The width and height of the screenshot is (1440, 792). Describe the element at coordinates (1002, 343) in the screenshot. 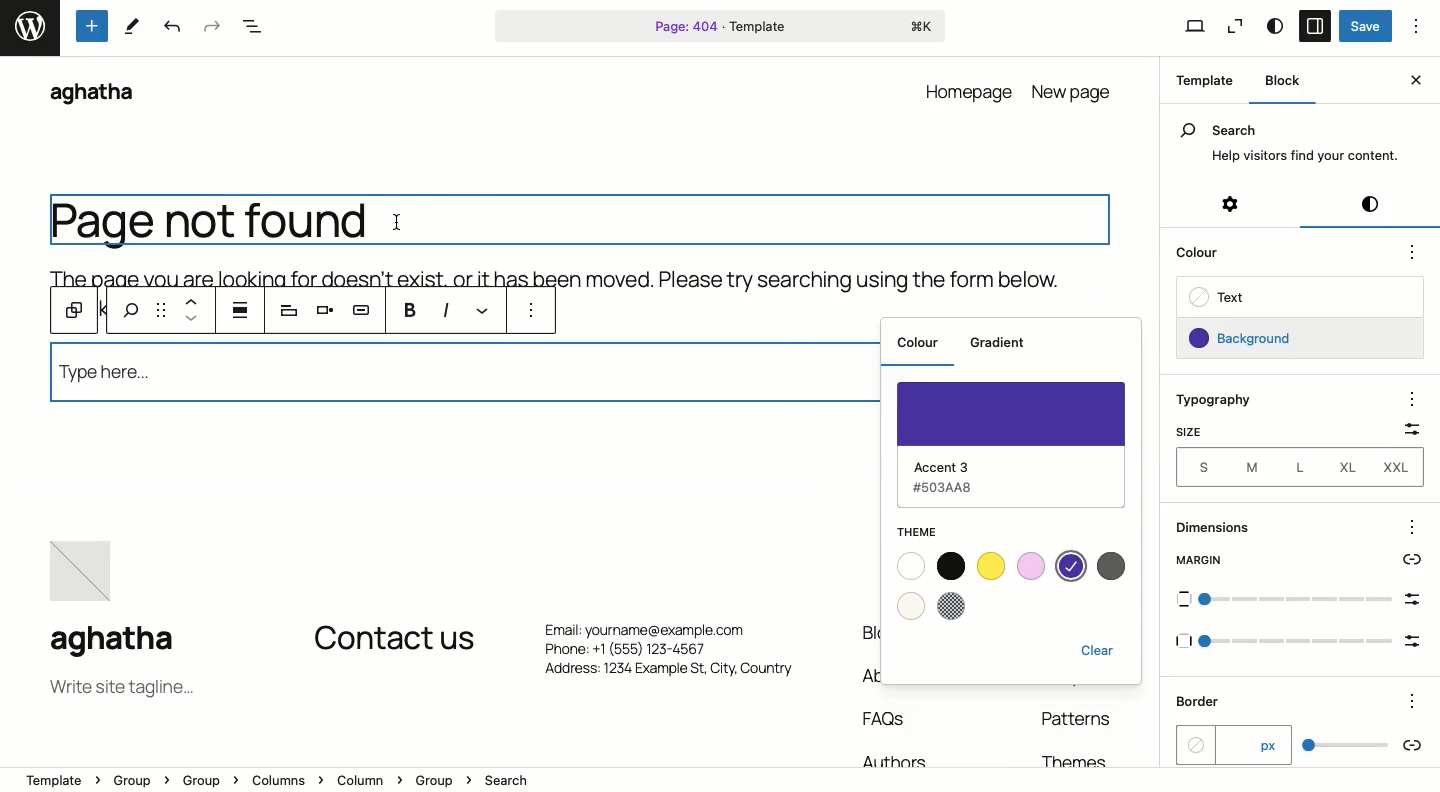

I see `Gradient` at that location.